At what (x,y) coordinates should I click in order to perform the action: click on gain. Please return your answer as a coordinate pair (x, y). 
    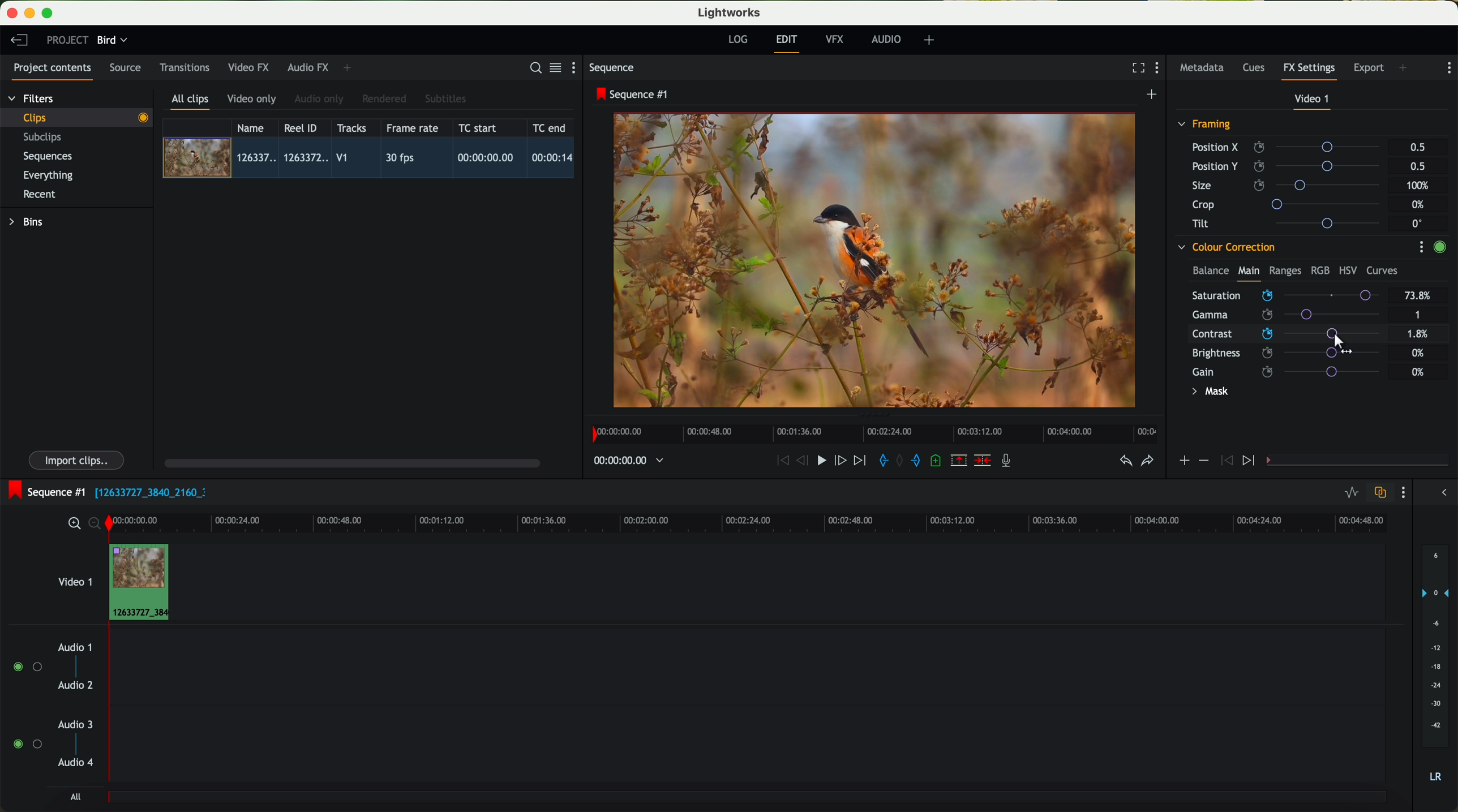
    Looking at the image, I should click on (1293, 371).